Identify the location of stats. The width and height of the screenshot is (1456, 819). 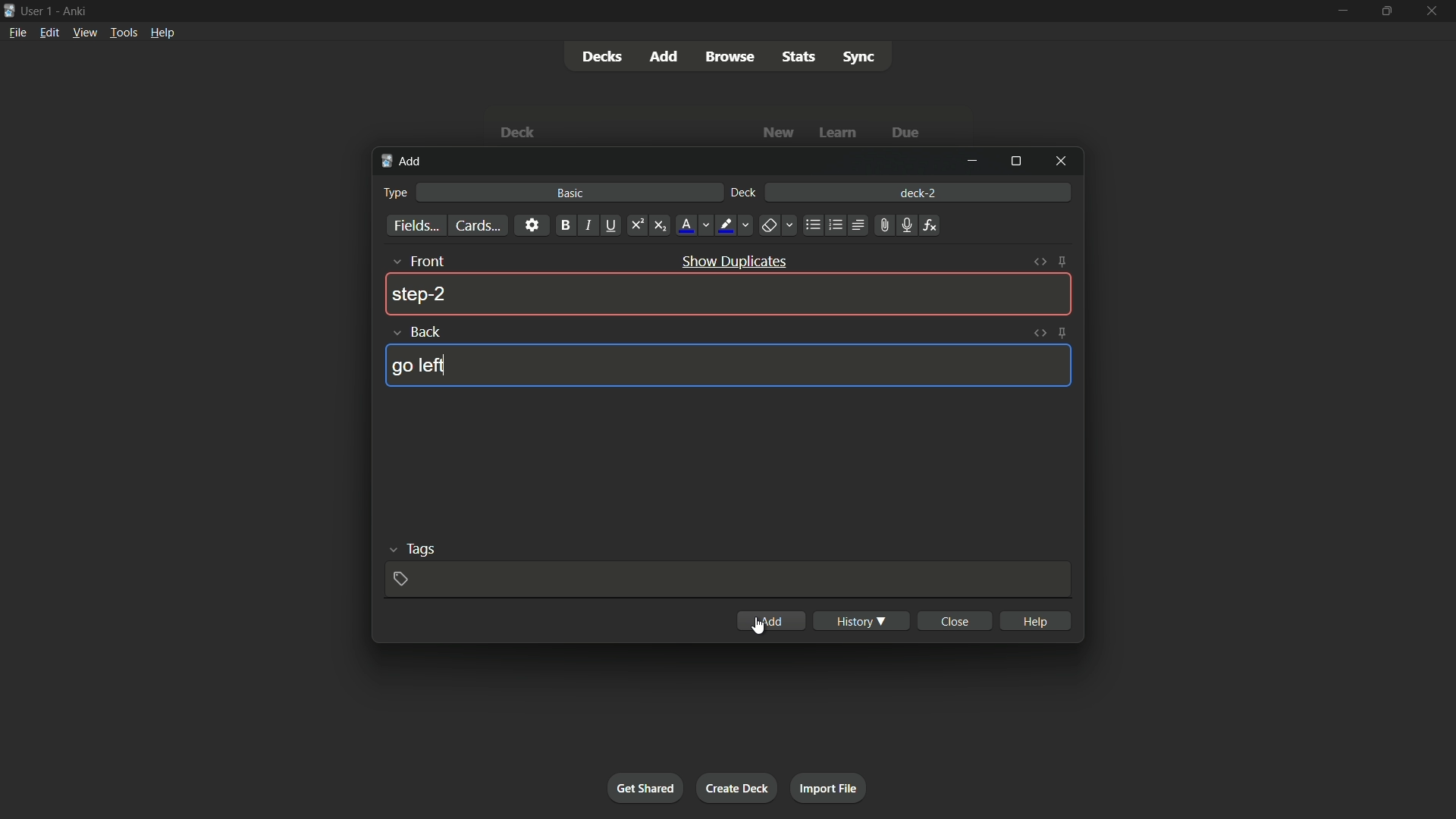
(799, 56).